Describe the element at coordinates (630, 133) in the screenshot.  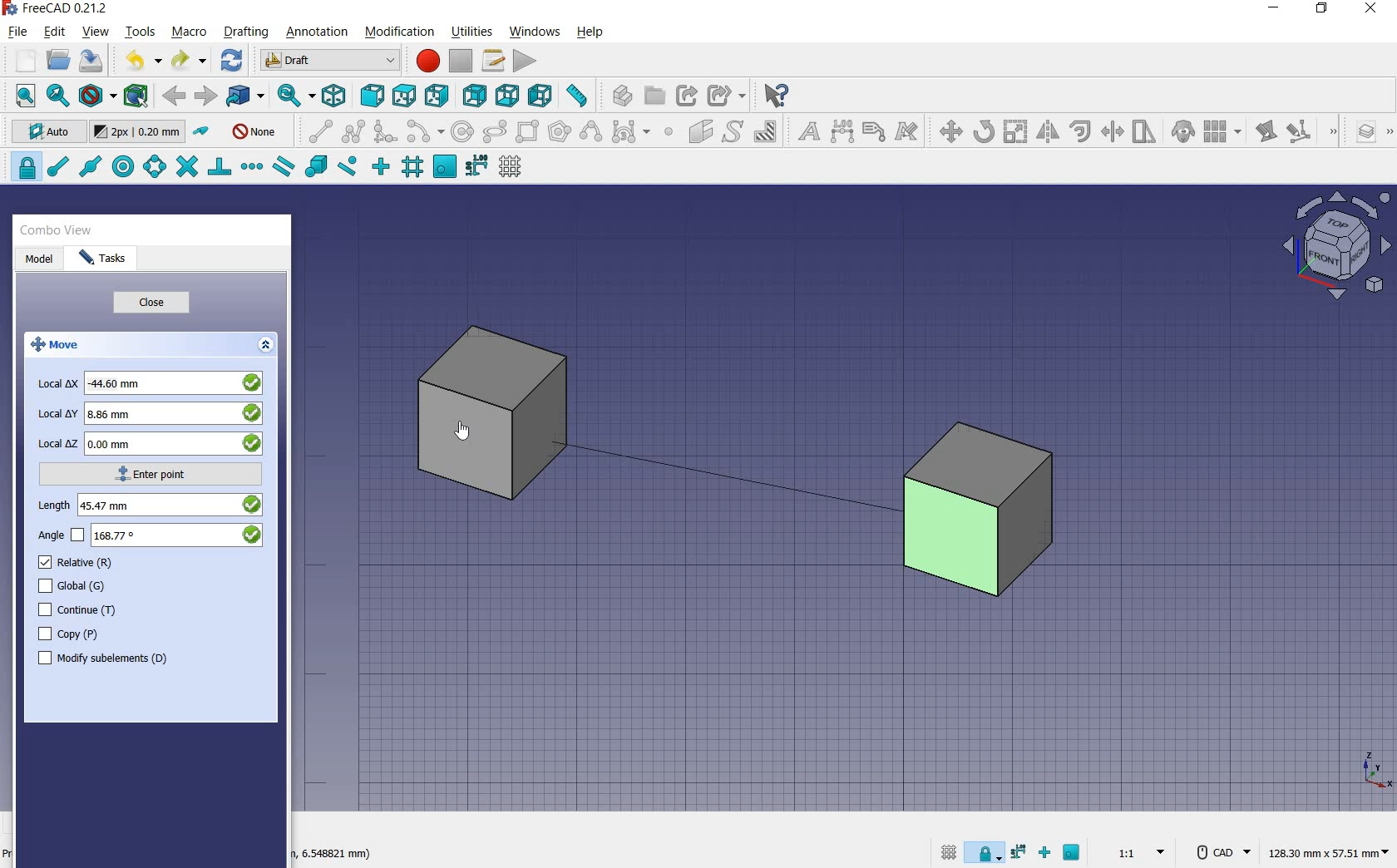
I see `Bezier tools` at that location.